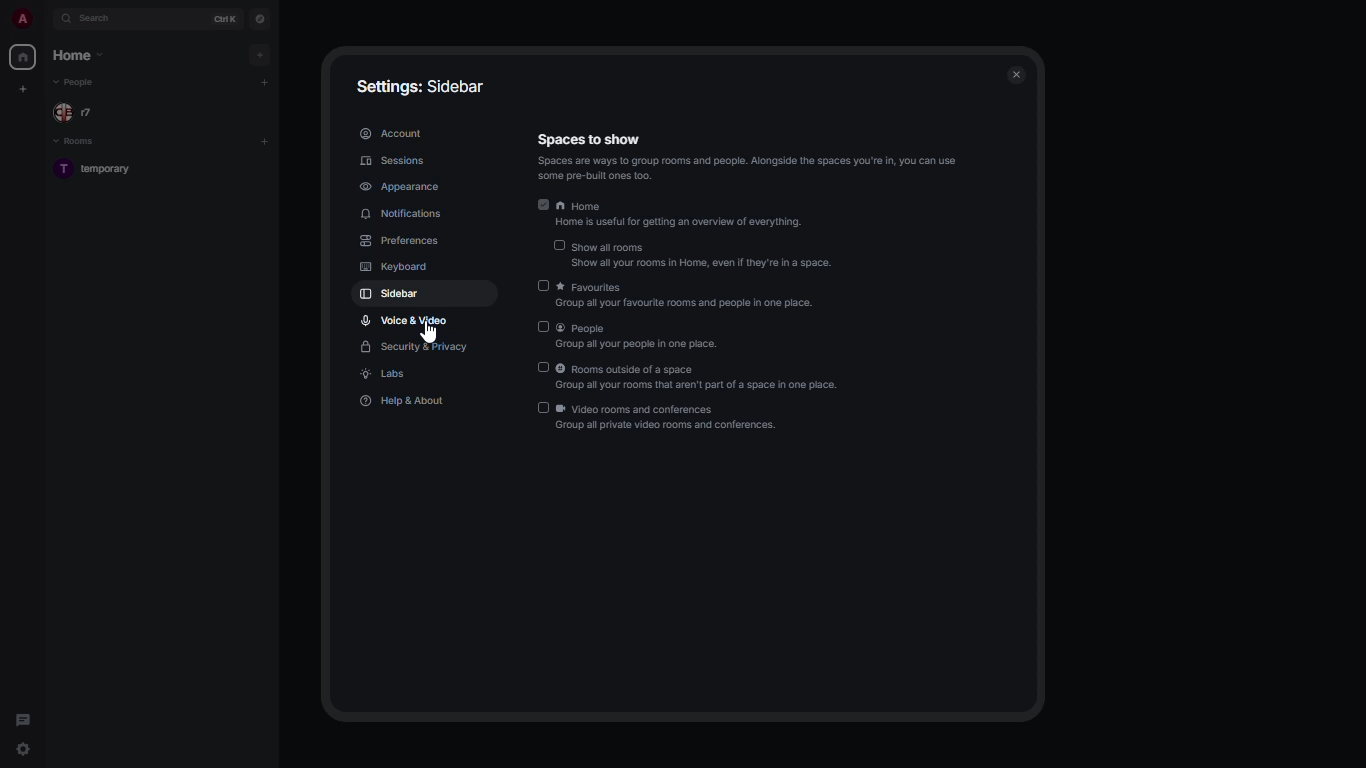 The height and width of the screenshot is (768, 1366). What do you see at coordinates (543, 367) in the screenshot?
I see `disabled` at bounding box center [543, 367].